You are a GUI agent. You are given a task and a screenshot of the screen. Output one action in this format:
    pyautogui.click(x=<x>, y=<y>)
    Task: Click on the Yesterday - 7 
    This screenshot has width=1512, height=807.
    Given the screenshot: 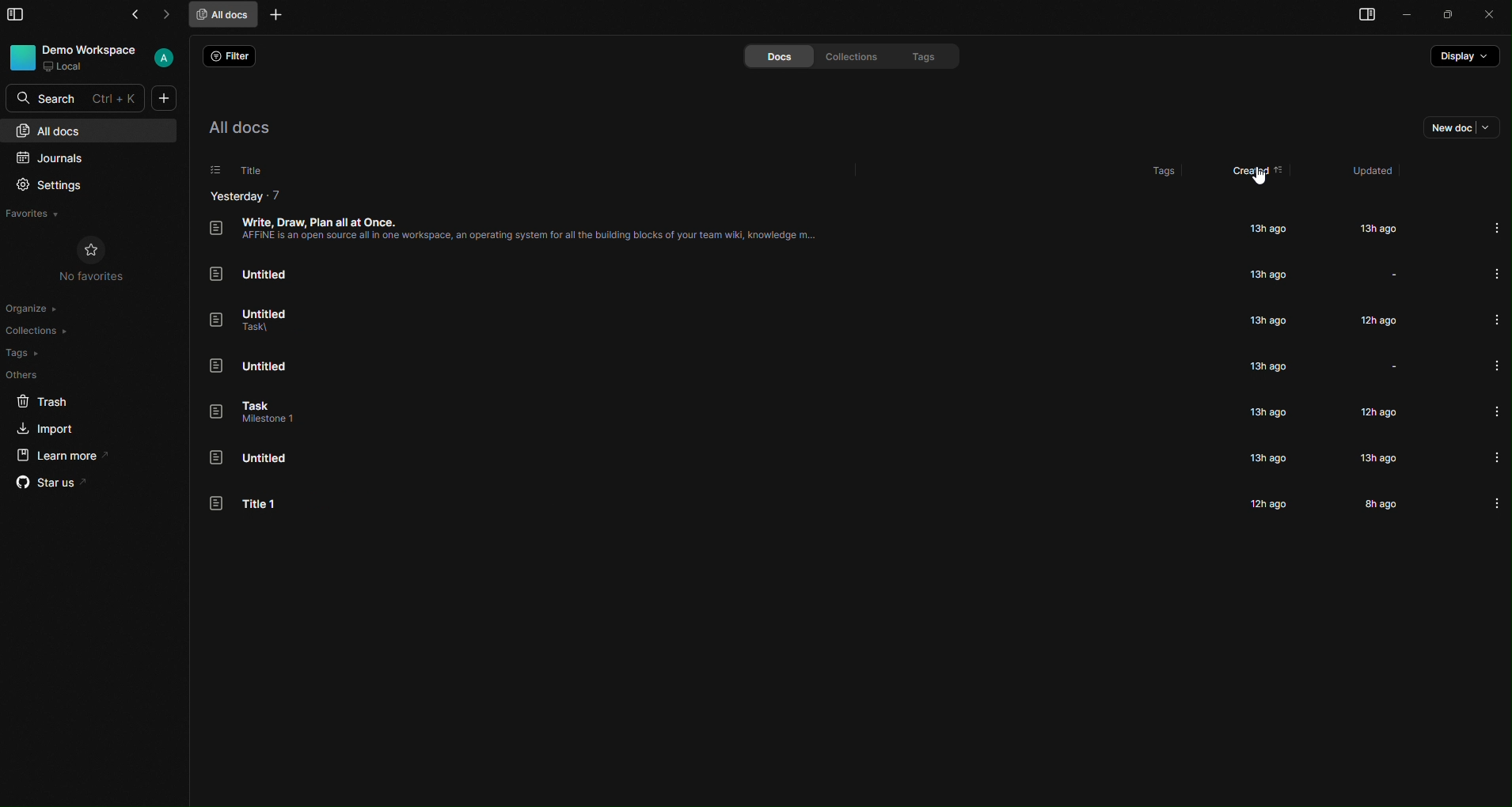 What is the action you would take?
    pyautogui.click(x=246, y=195)
    